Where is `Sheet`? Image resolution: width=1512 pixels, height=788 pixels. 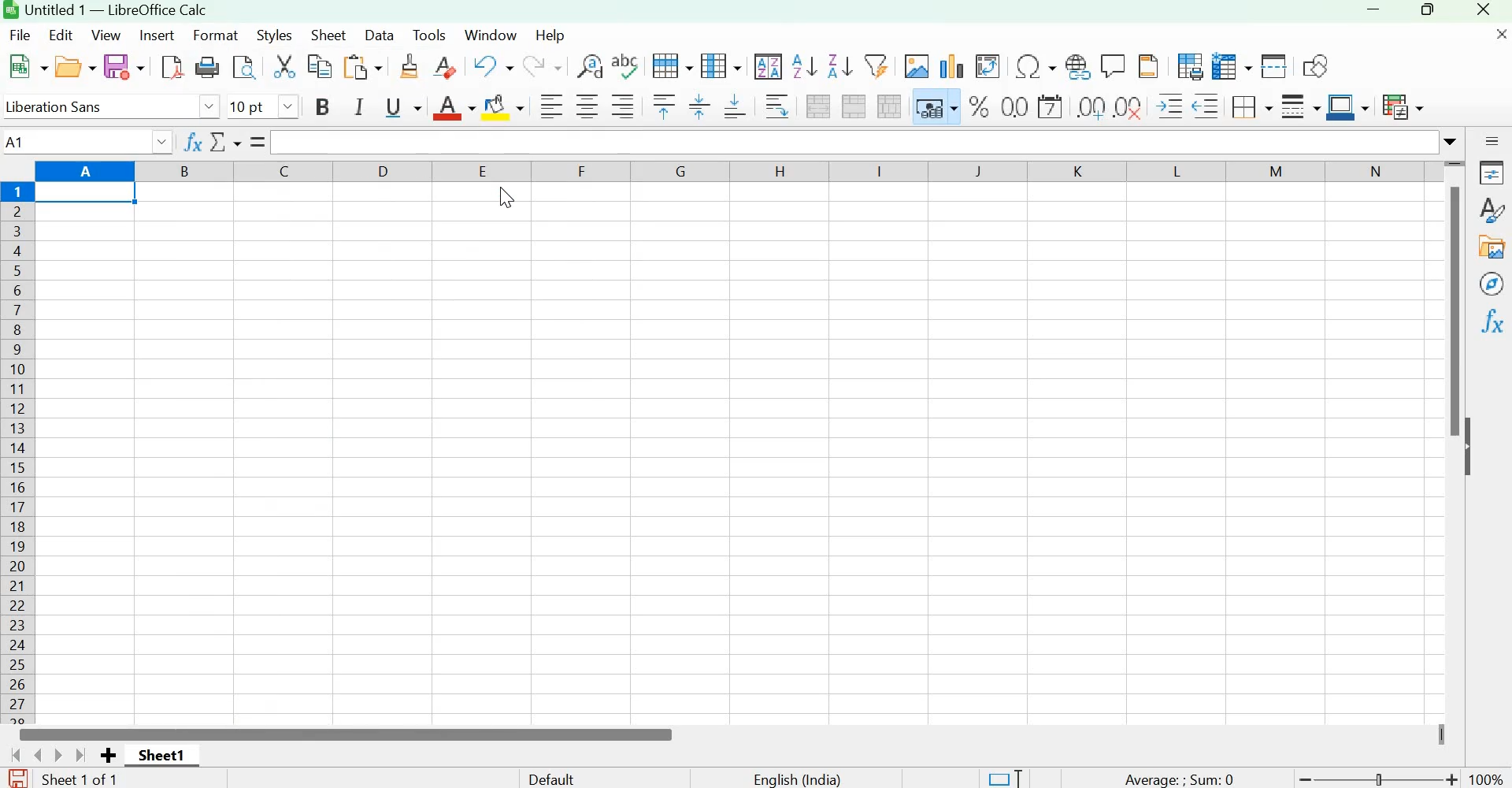 Sheet is located at coordinates (330, 34).